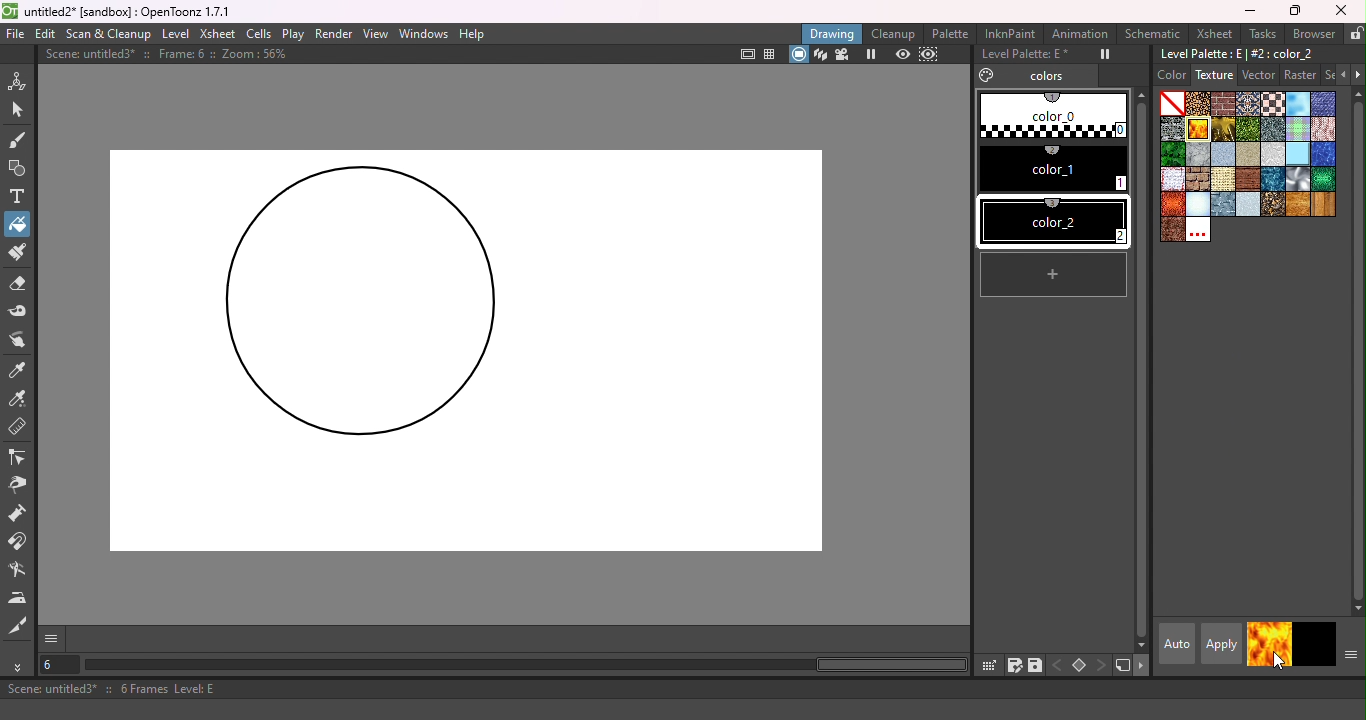 Image resolution: width=1366 pixels, height=720 pixels. What do you see at coordinates (1313, 644) in the screenshot?
I see `return to previous style` at bounding box center [1313, 644].